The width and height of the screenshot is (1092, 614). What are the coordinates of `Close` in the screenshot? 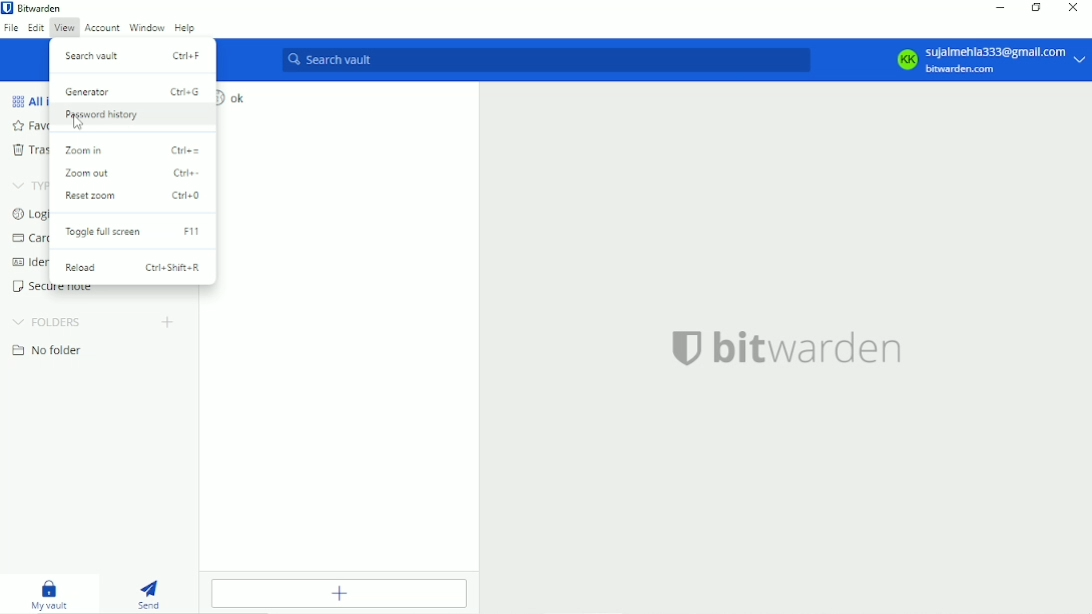 It's located at (1072, 8).